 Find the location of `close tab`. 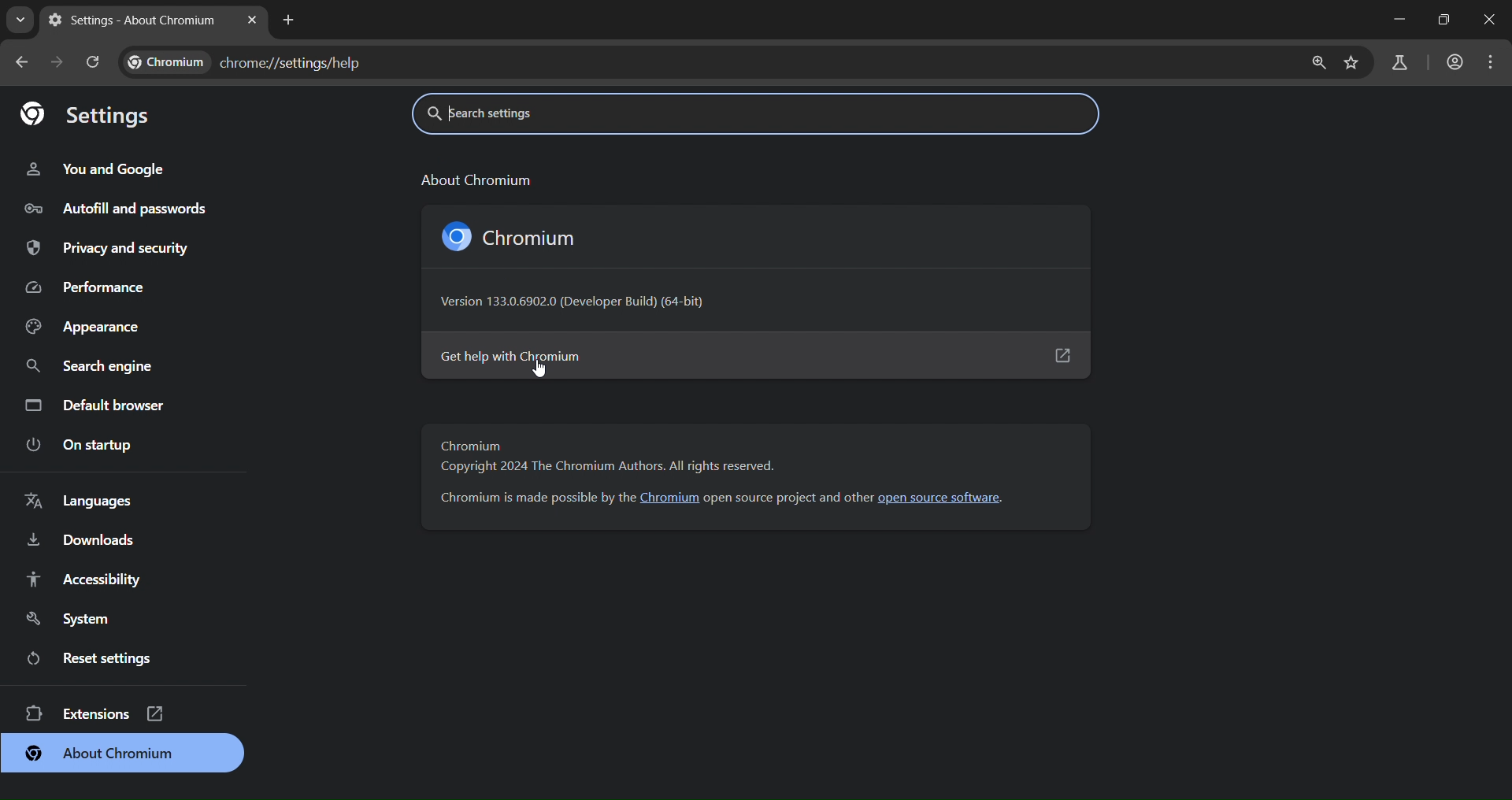

close tab is located at coordinates (251, 20).